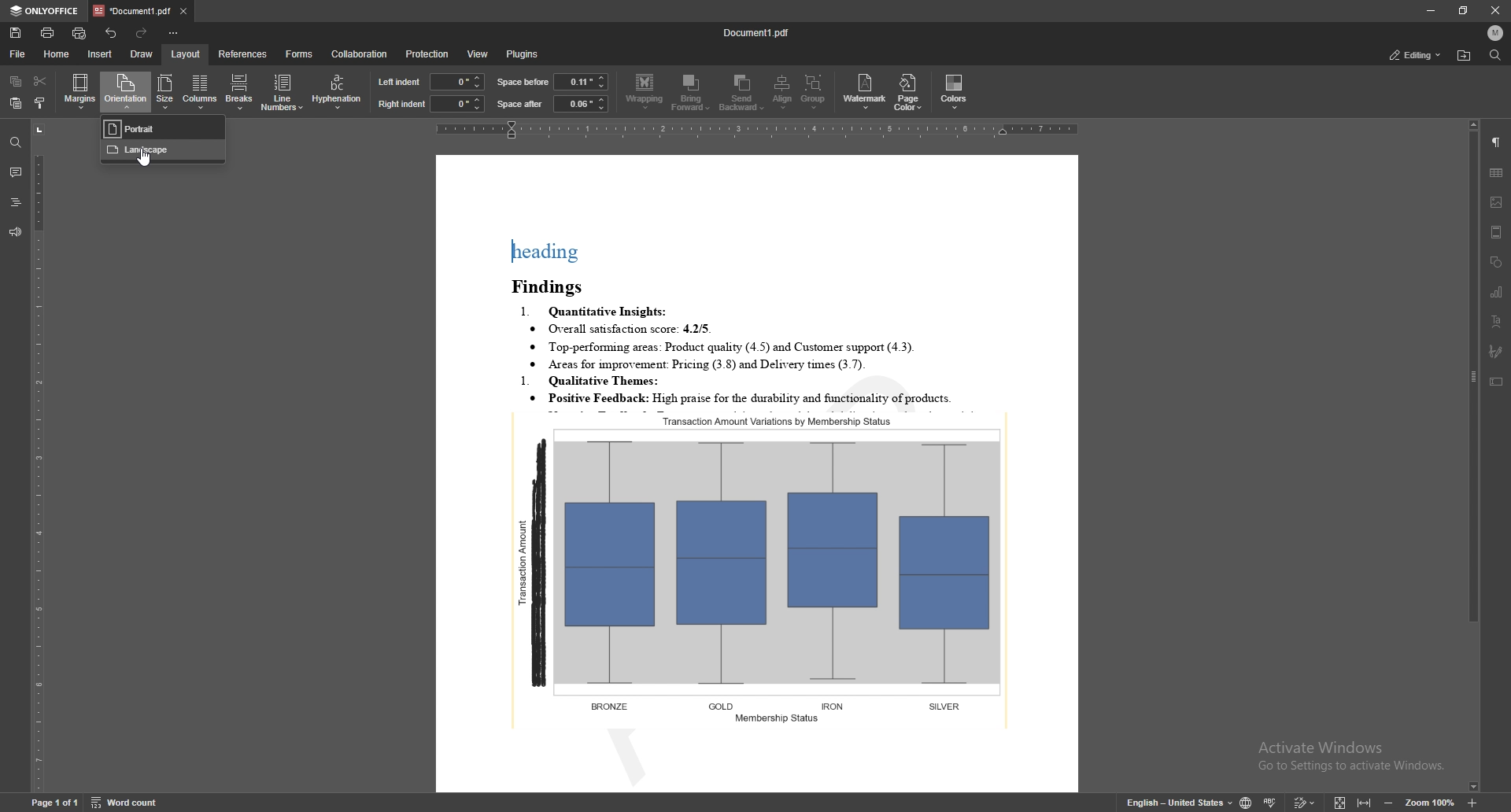 The height and width of the screenshot is (812, 1511). Describe the element at coordinates (133, 9) in the screenshot. I see `tab` at that location.